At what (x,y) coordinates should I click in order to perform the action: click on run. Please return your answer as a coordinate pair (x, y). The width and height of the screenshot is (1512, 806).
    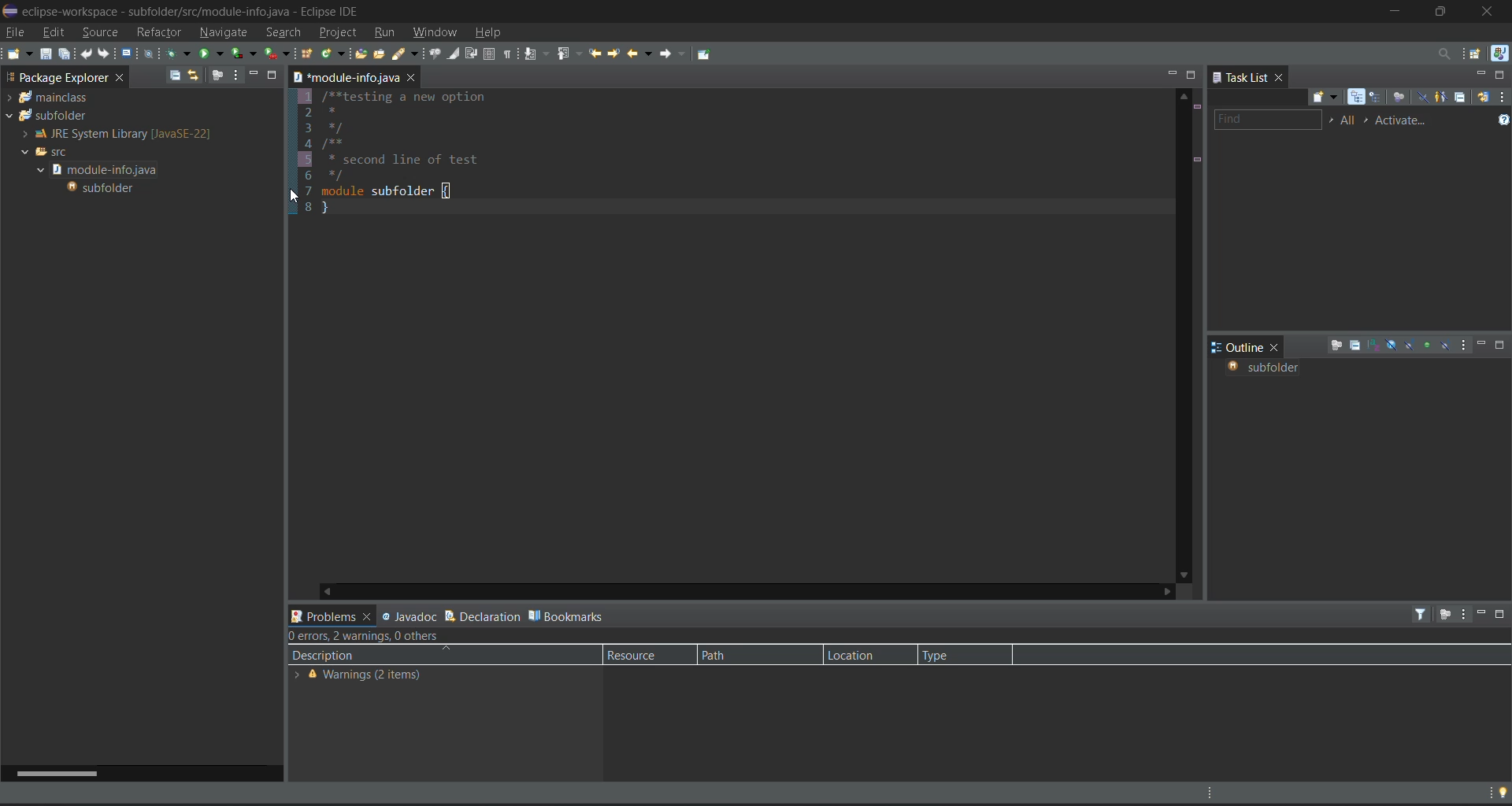
    Looking at the image, I should click on (213, 52).